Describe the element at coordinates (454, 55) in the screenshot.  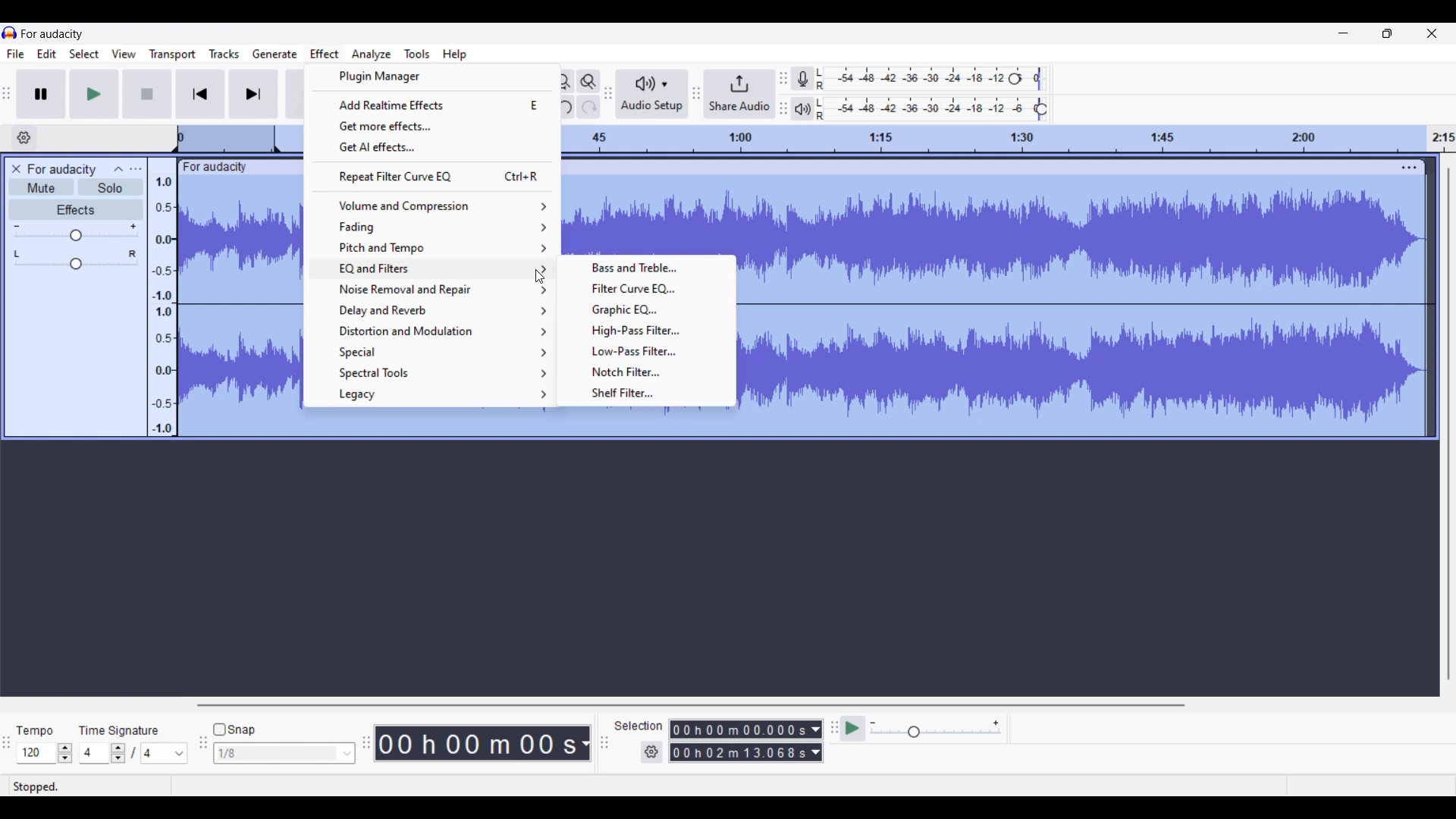
I see `Help menu` at that location.